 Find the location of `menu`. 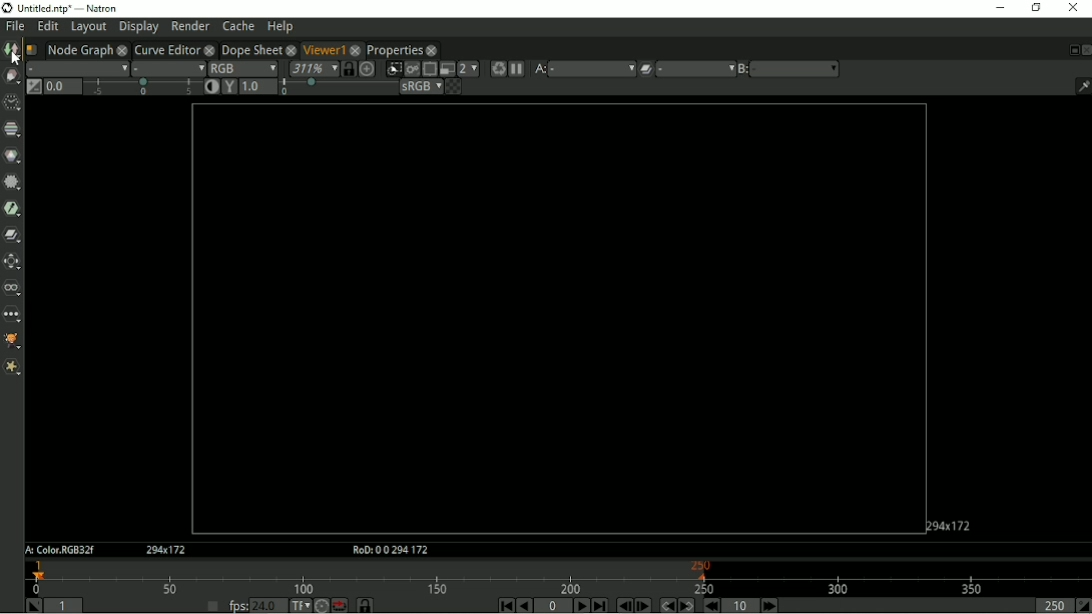

menu is located at coordinates (695, 69).